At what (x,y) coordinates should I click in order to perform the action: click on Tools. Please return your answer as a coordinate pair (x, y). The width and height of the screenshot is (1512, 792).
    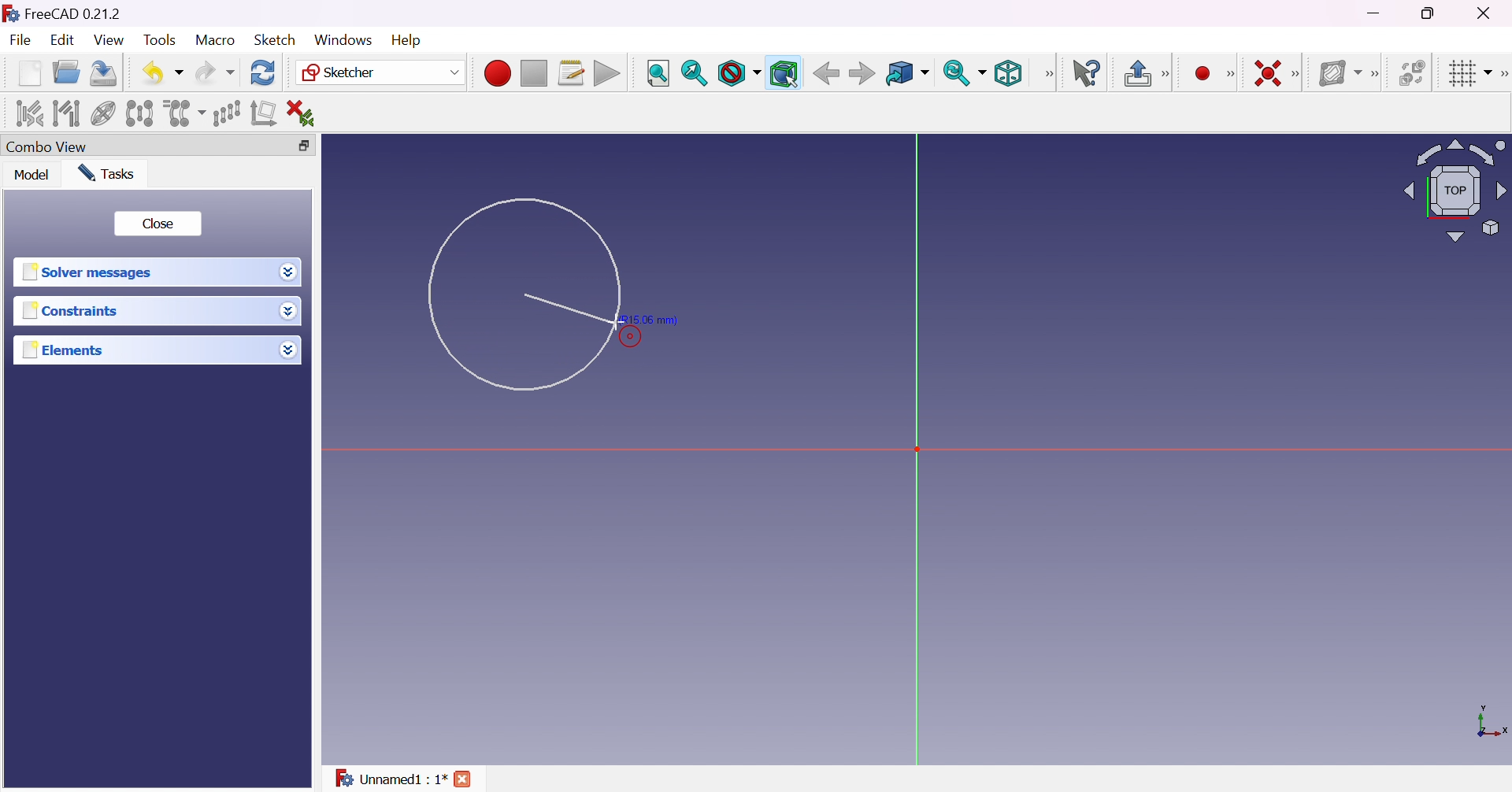
    Looking at the image, I should click on (161, 40).